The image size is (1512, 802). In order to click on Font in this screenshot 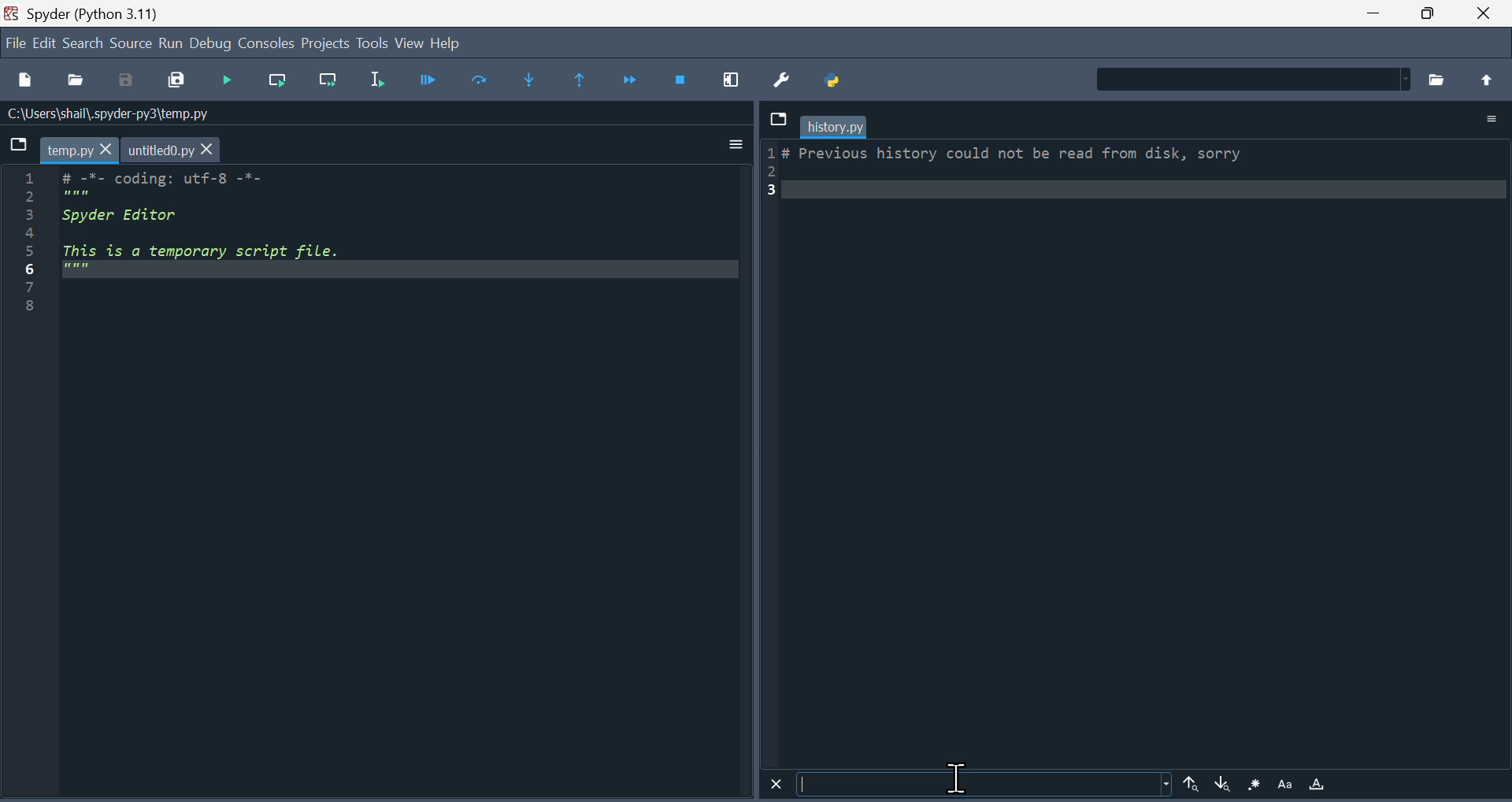, I will do `click(1288, 787)`.